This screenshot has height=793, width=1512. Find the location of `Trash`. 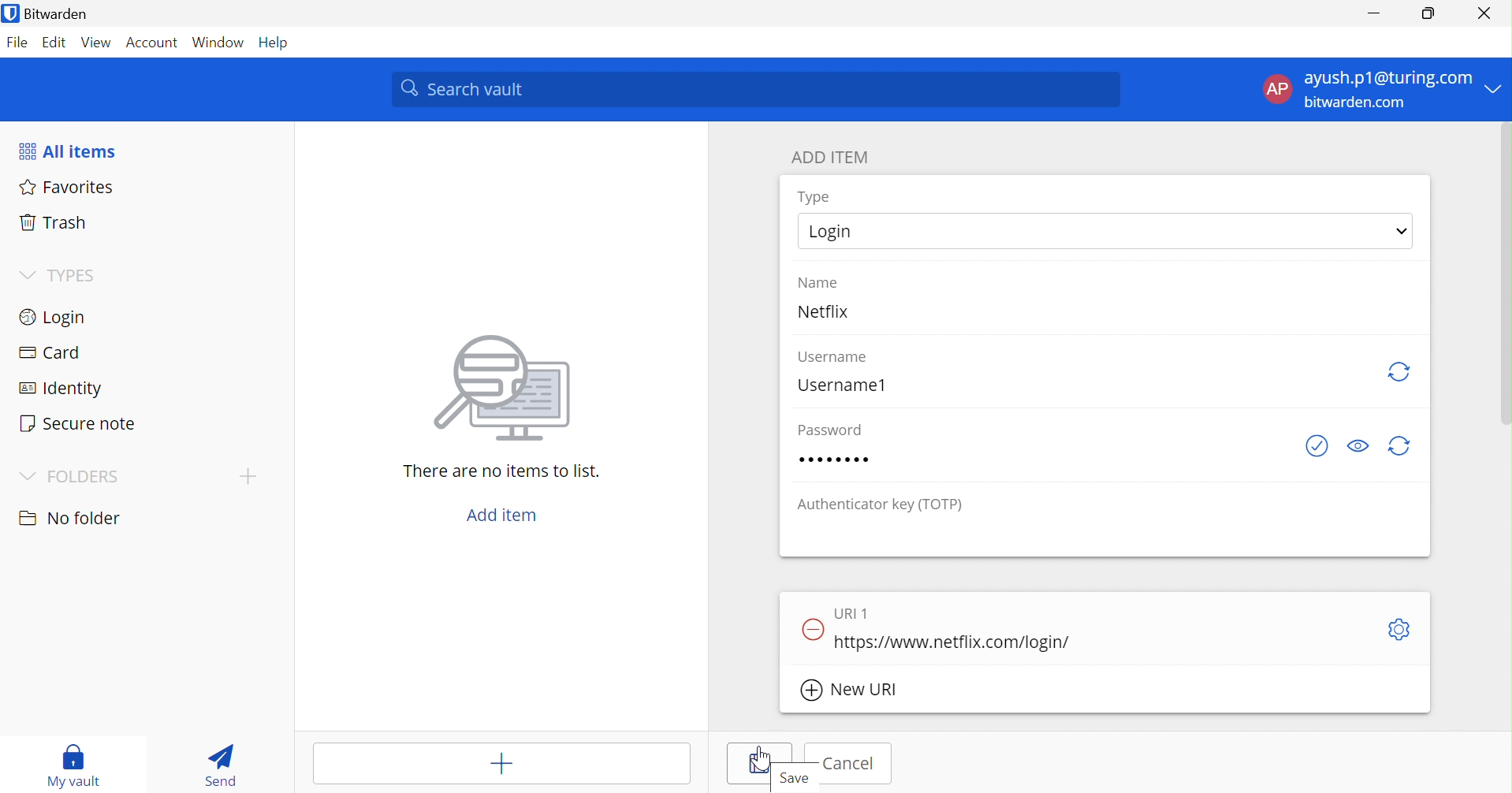

Trash is located at coordinates (52, 222).